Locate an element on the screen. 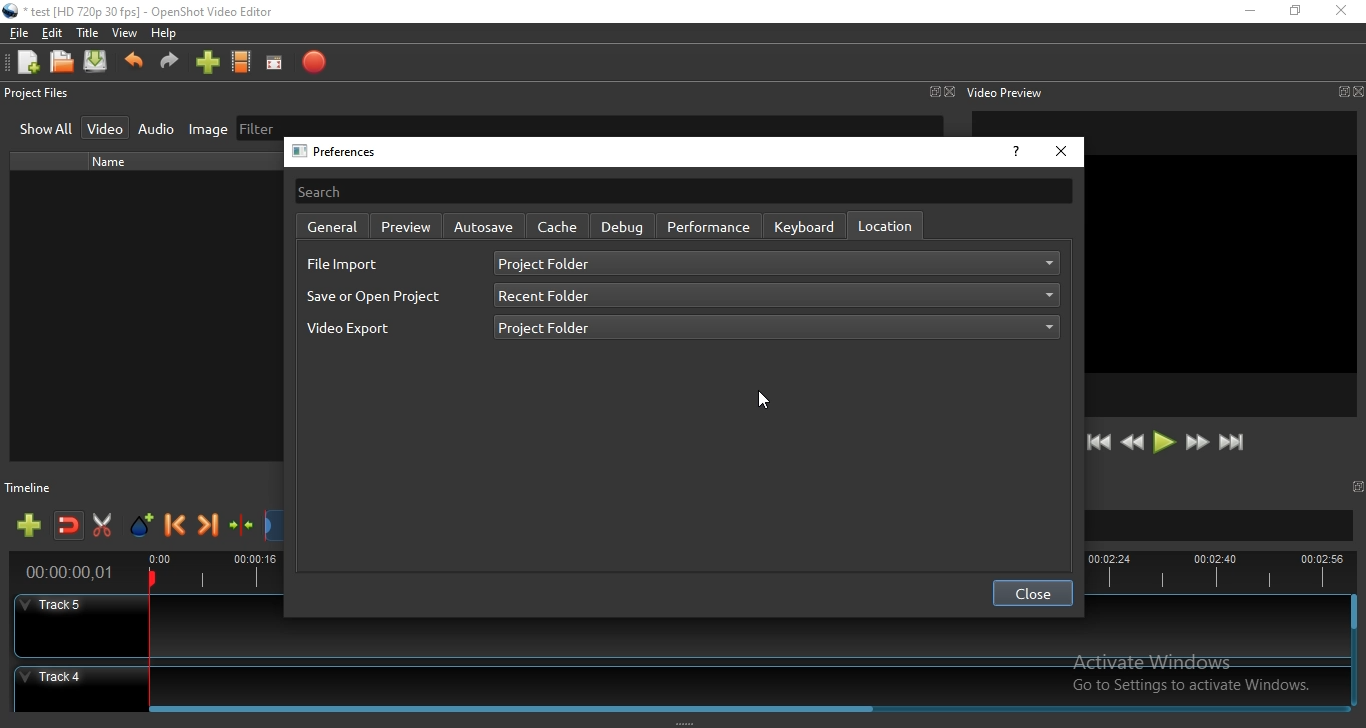 The height and width of the screenshot is (728, 1366). Image is located at coordinates (203, 130).